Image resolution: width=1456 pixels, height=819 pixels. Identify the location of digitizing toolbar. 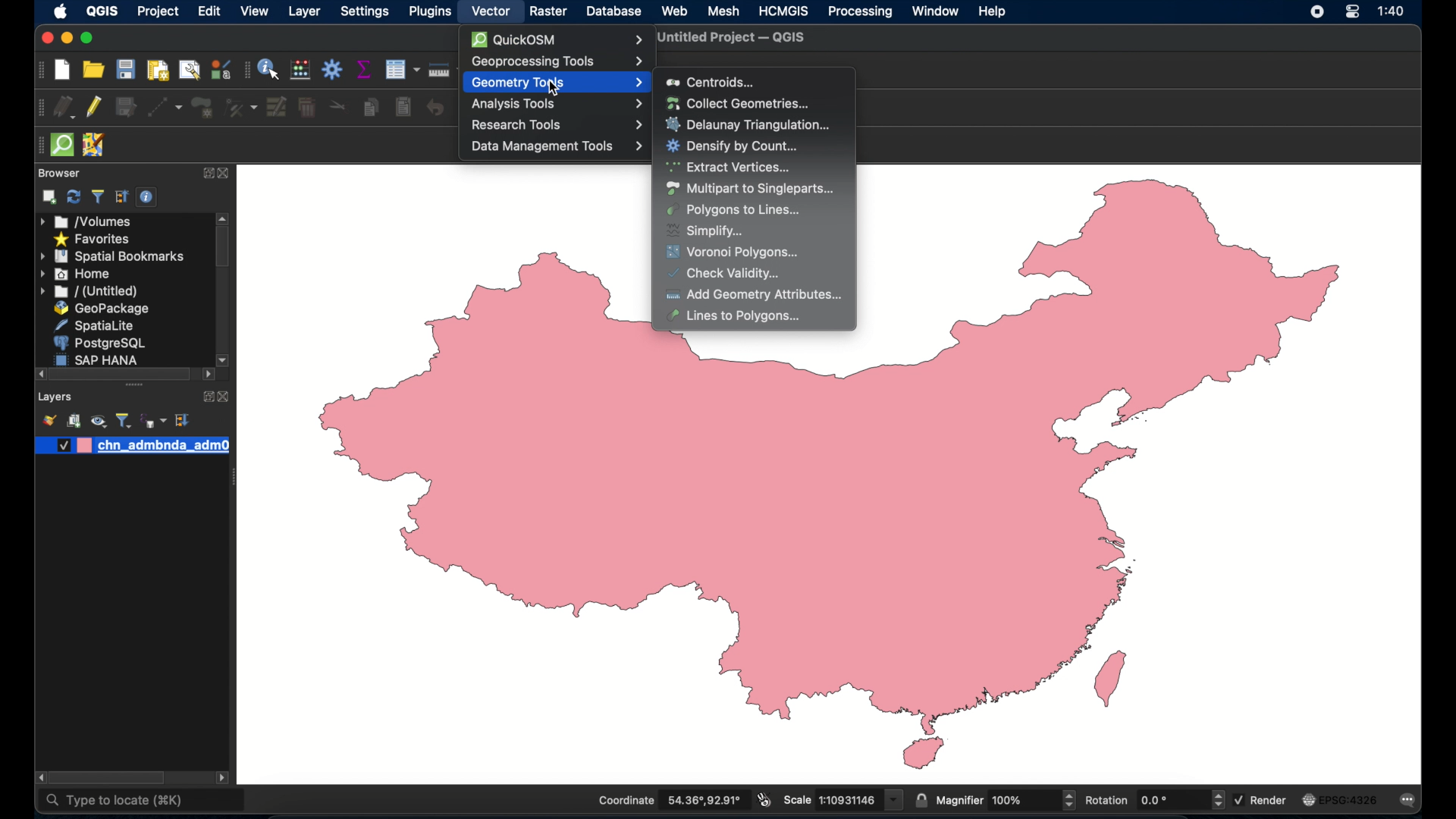
(40, 108).